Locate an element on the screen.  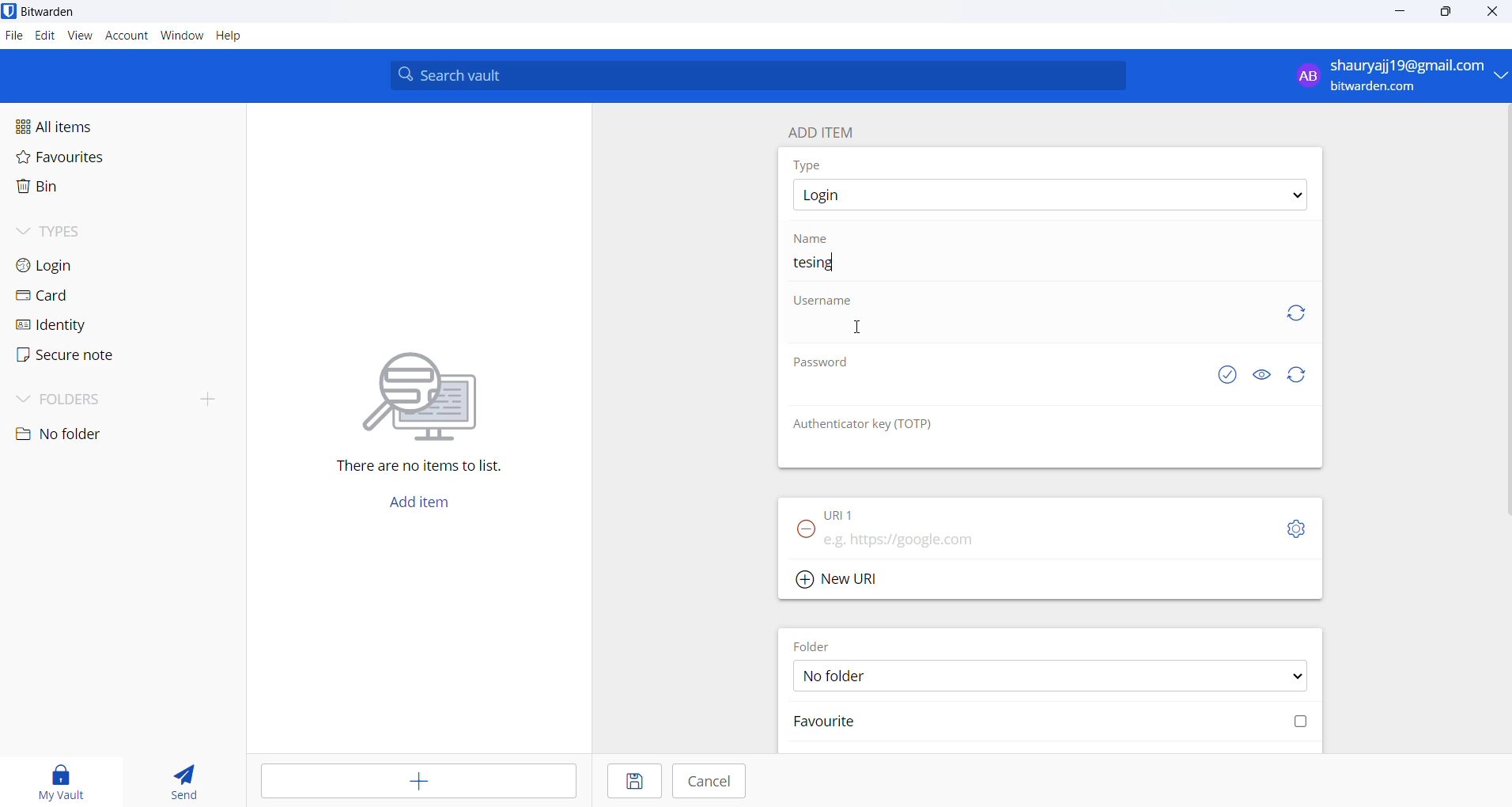
File is located at coordinates (13, 36).